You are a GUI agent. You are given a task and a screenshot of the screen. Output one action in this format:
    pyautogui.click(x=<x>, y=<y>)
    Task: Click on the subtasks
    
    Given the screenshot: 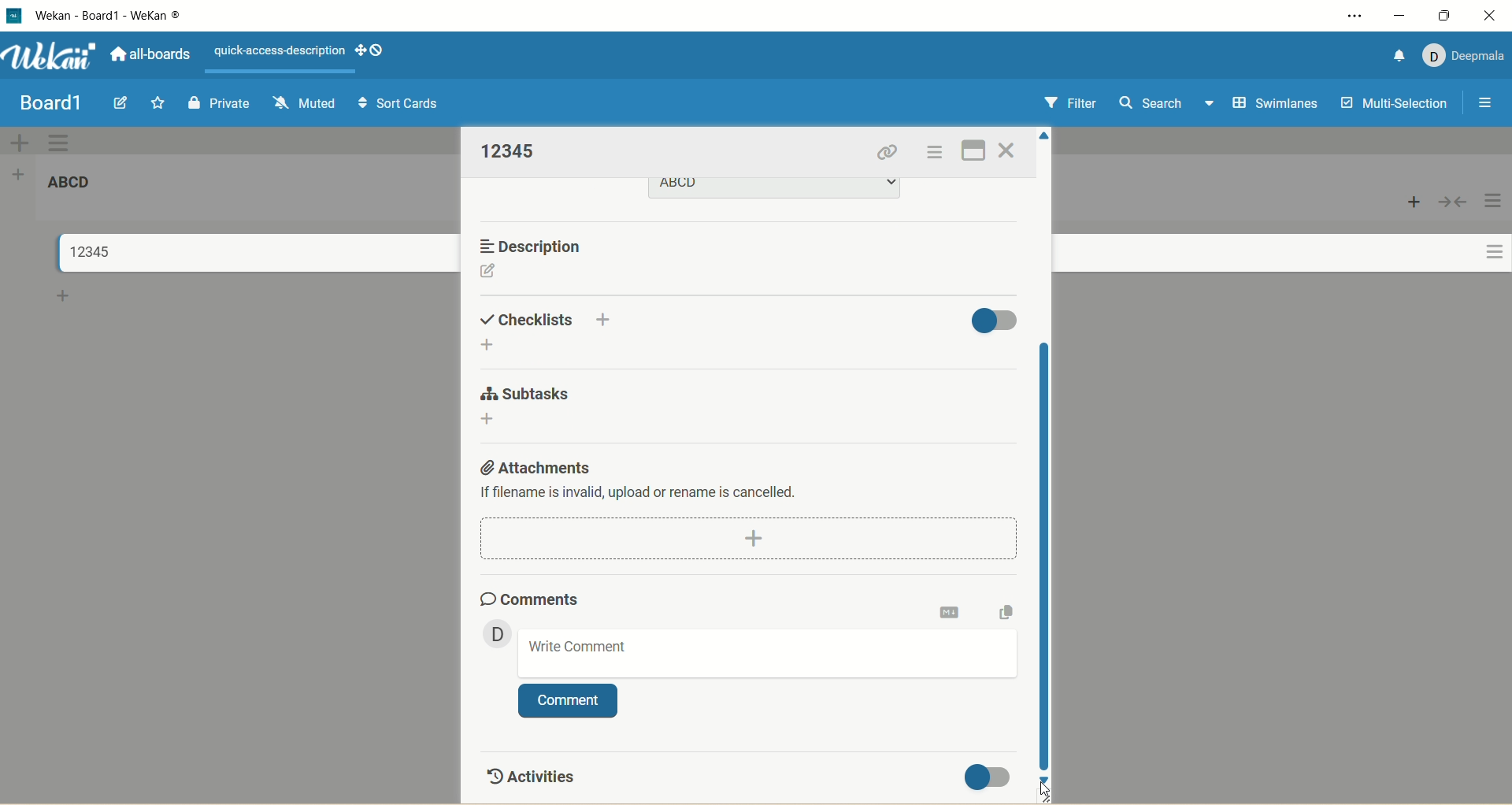 What is the action you would take?
    pyautogui.click(x=523, y=394)
    